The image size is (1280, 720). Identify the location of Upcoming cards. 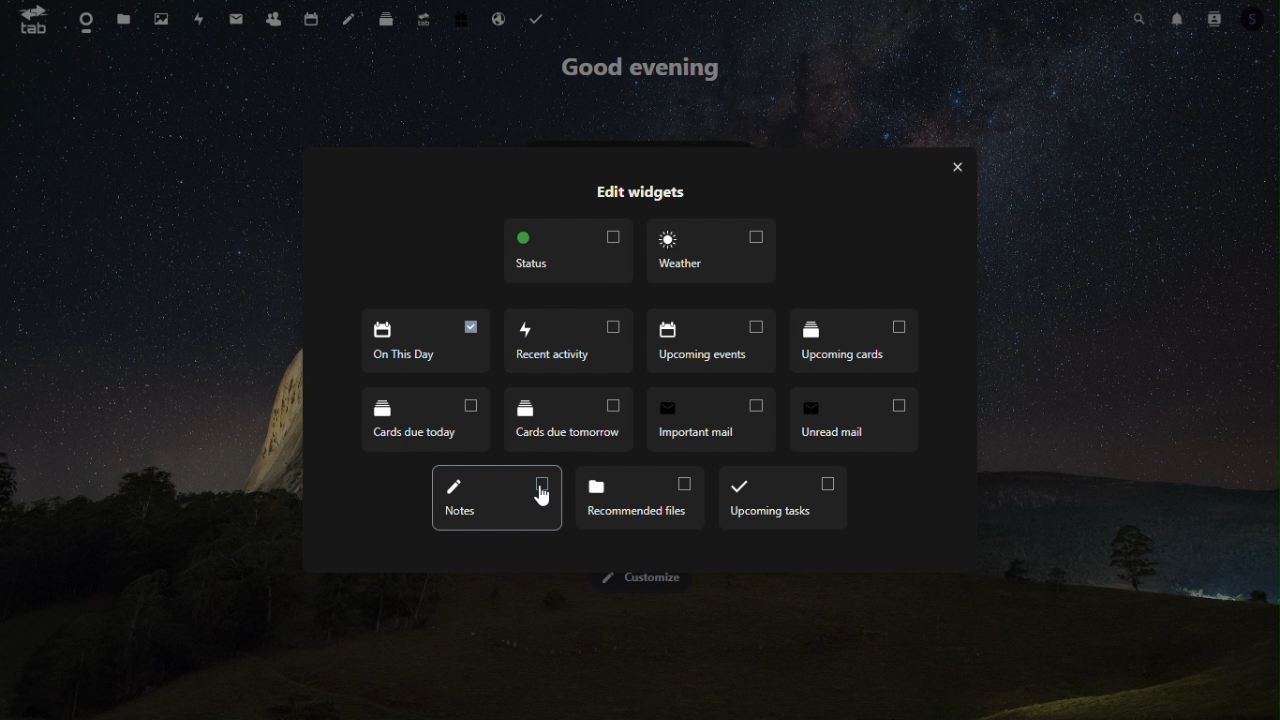
(710, 340).